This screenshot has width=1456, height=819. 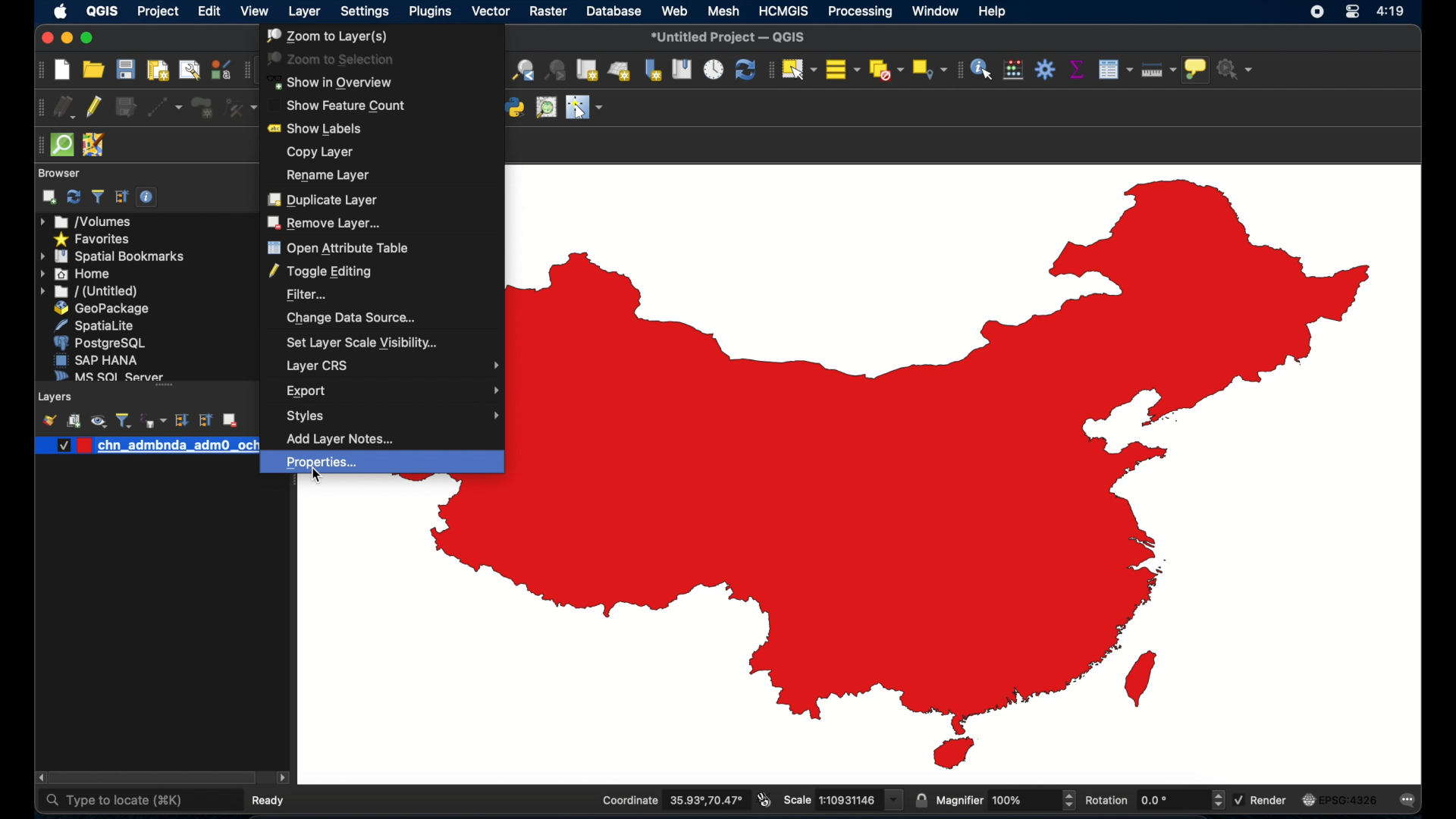 What do you see at coordinates (620, 71) in the screenshot?
I see `new 3d map view` at bounding box center [620, 71].